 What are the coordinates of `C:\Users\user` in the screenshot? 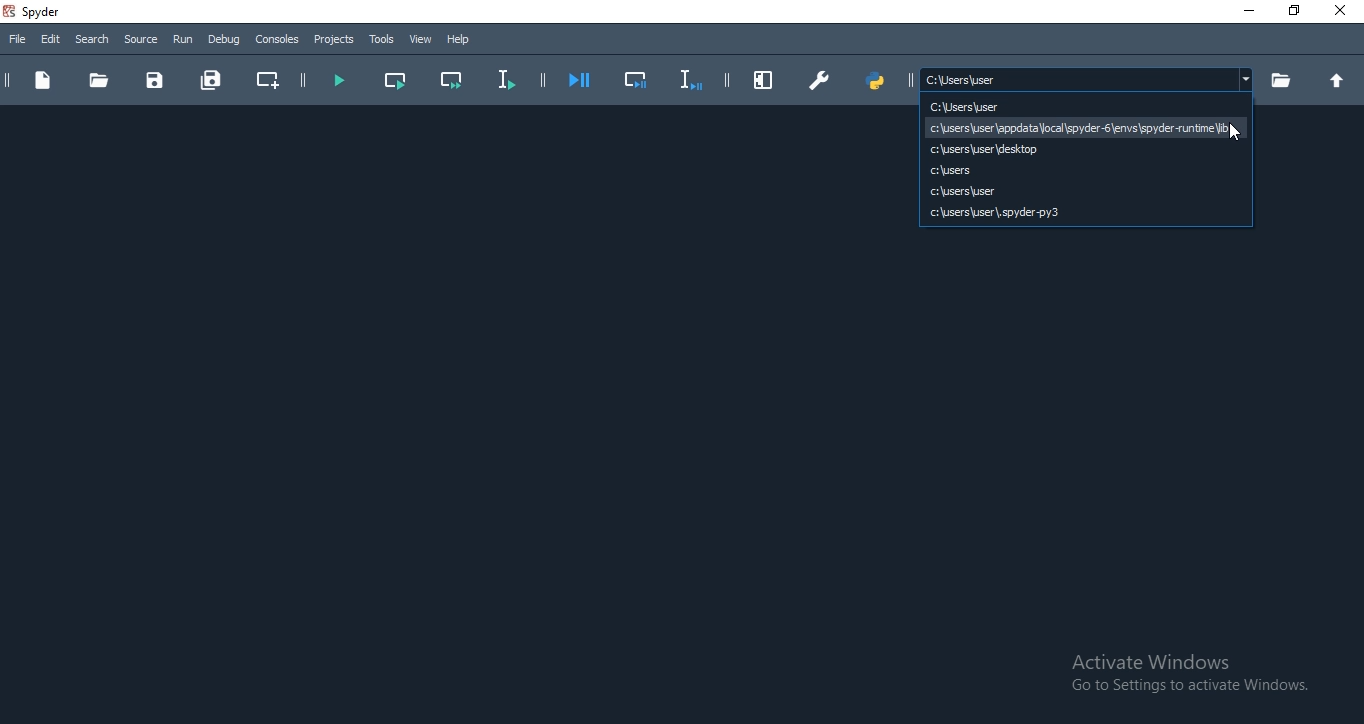 It's located at (1085, 191).